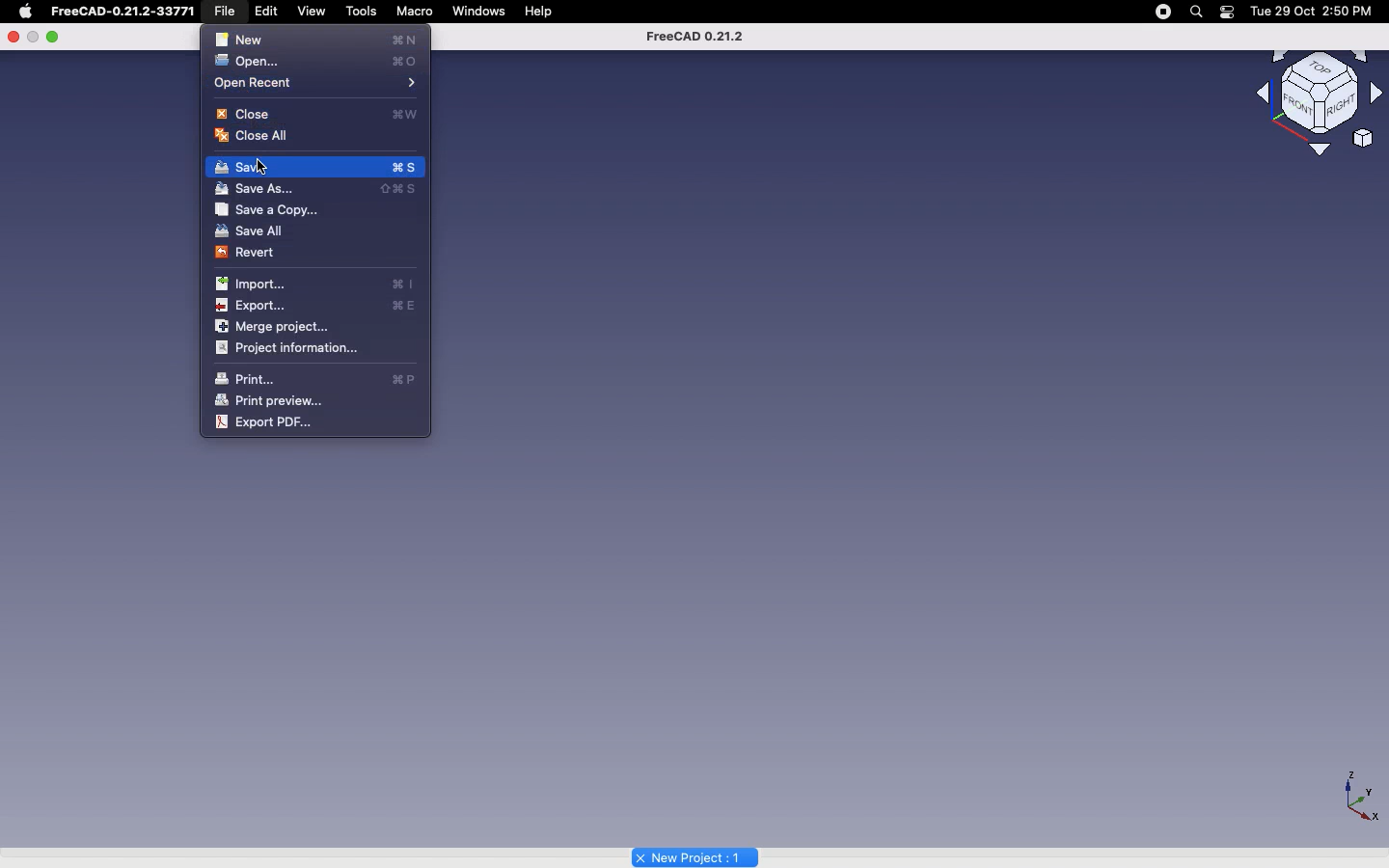 Image resolution: width=1389 pixels, height=868 pixels. I want to click on Open recent, so click(317, 84).